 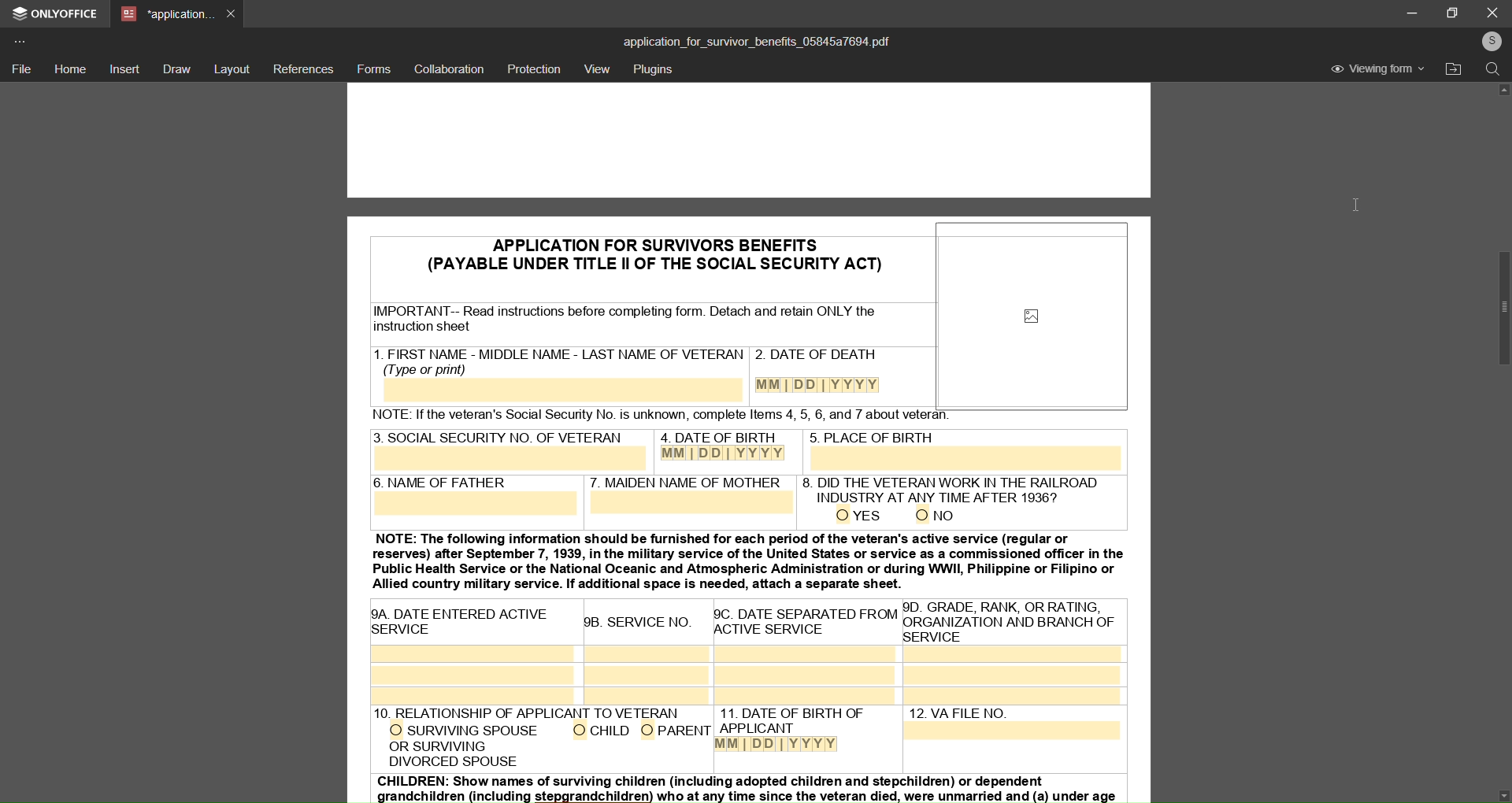 What do you see at coordinates (373, 68) in the screenshot?
I see `forms` at bounding box center [373, 68].